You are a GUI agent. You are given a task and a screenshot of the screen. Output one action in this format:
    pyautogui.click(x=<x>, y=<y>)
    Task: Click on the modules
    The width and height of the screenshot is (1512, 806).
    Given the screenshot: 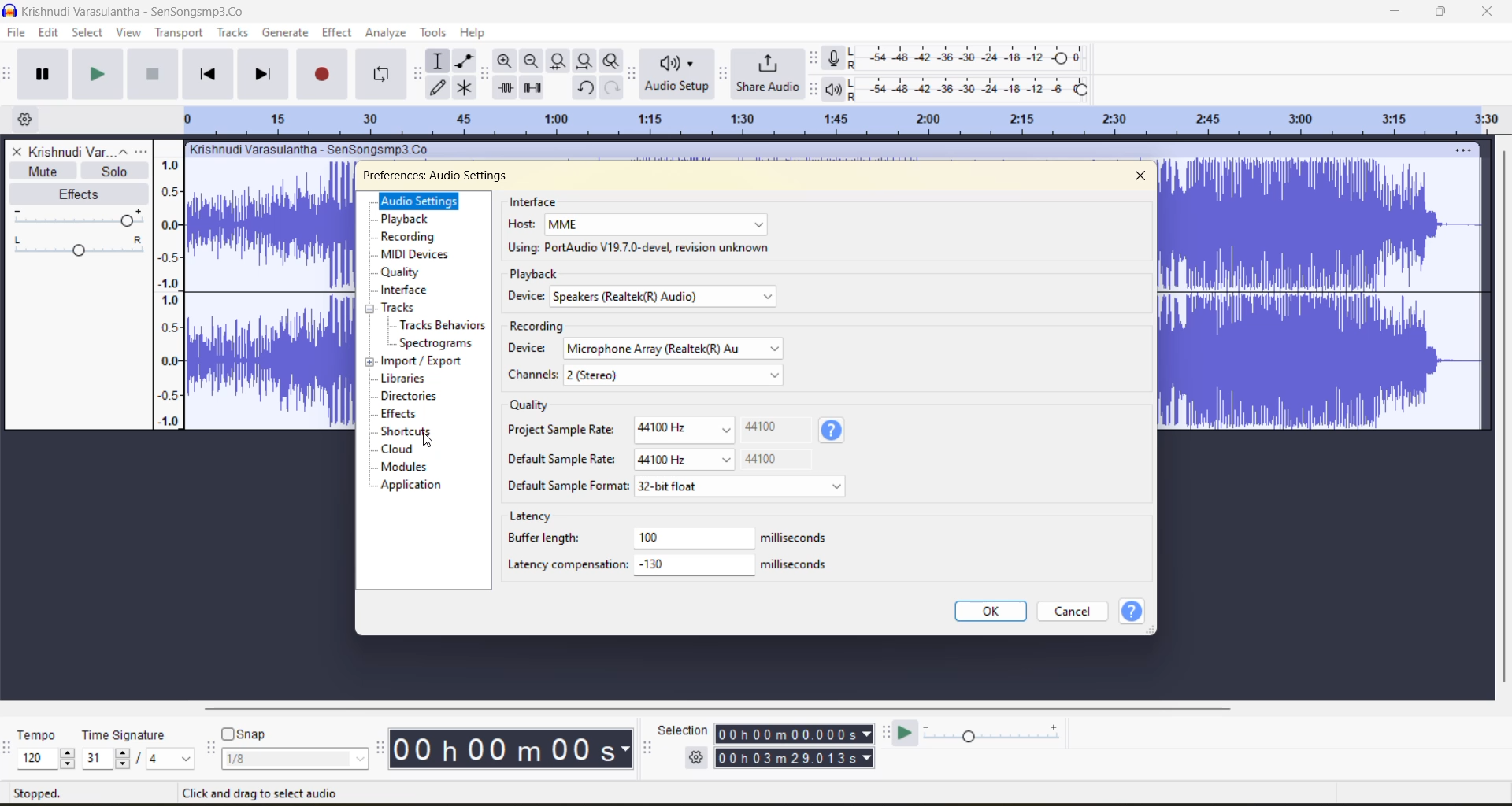 What is the action you would take?
    pyautogui.click(x=419, y=464)
    